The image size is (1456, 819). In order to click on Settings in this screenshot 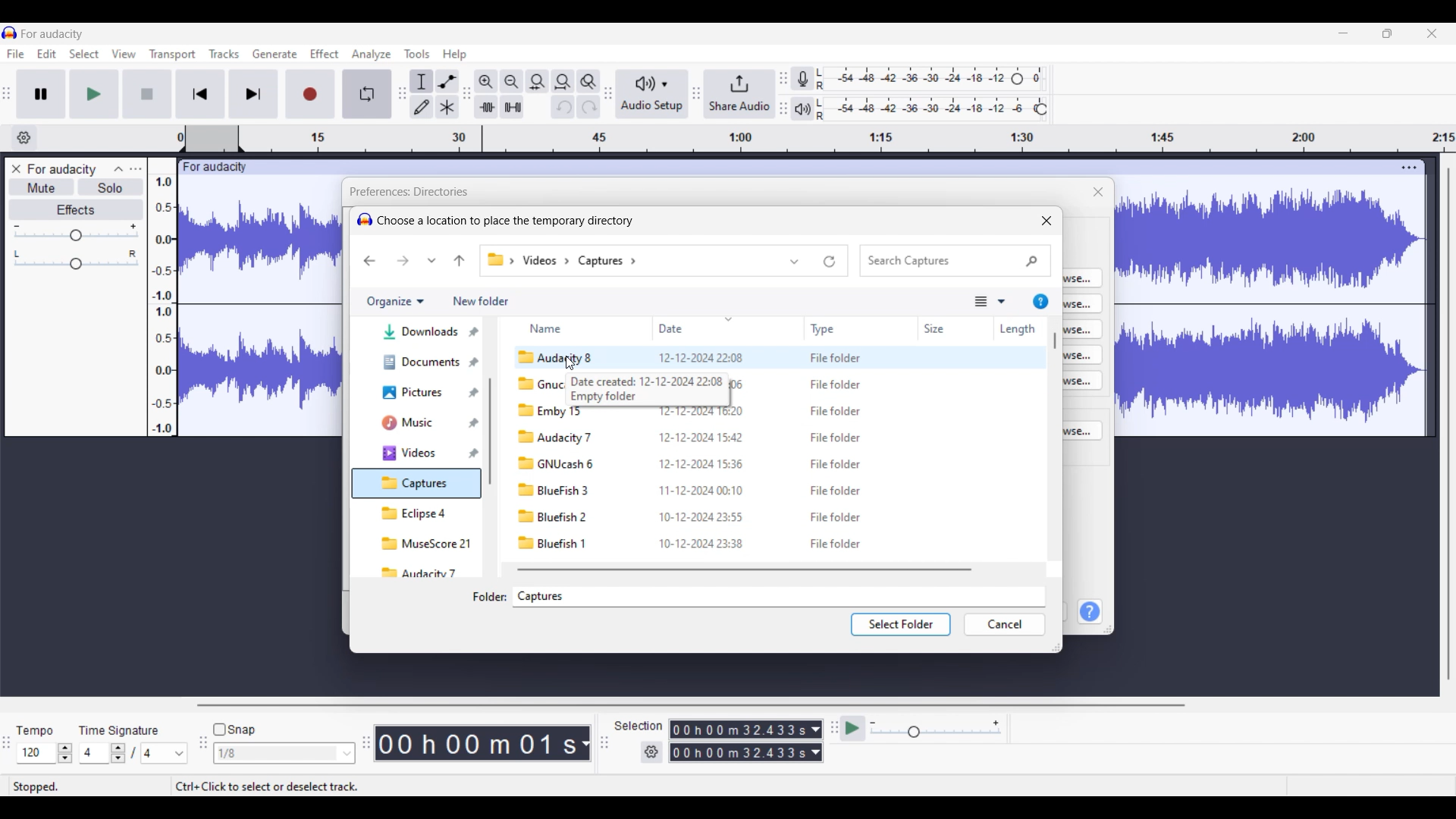, I will do `click(652, 752)`.